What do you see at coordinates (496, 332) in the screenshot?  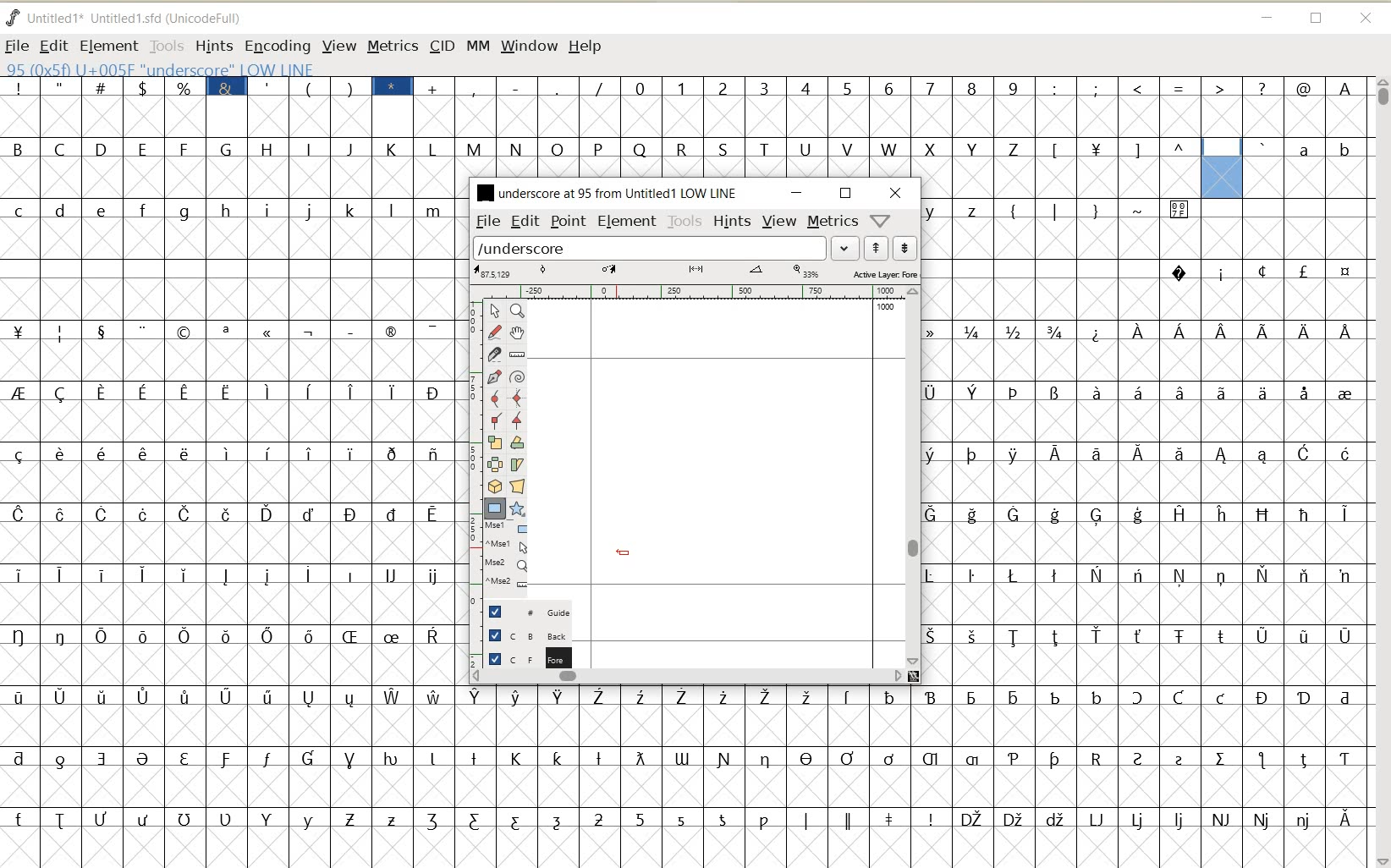 I see `draw a freehand curve` at bounding box center [496, 332].